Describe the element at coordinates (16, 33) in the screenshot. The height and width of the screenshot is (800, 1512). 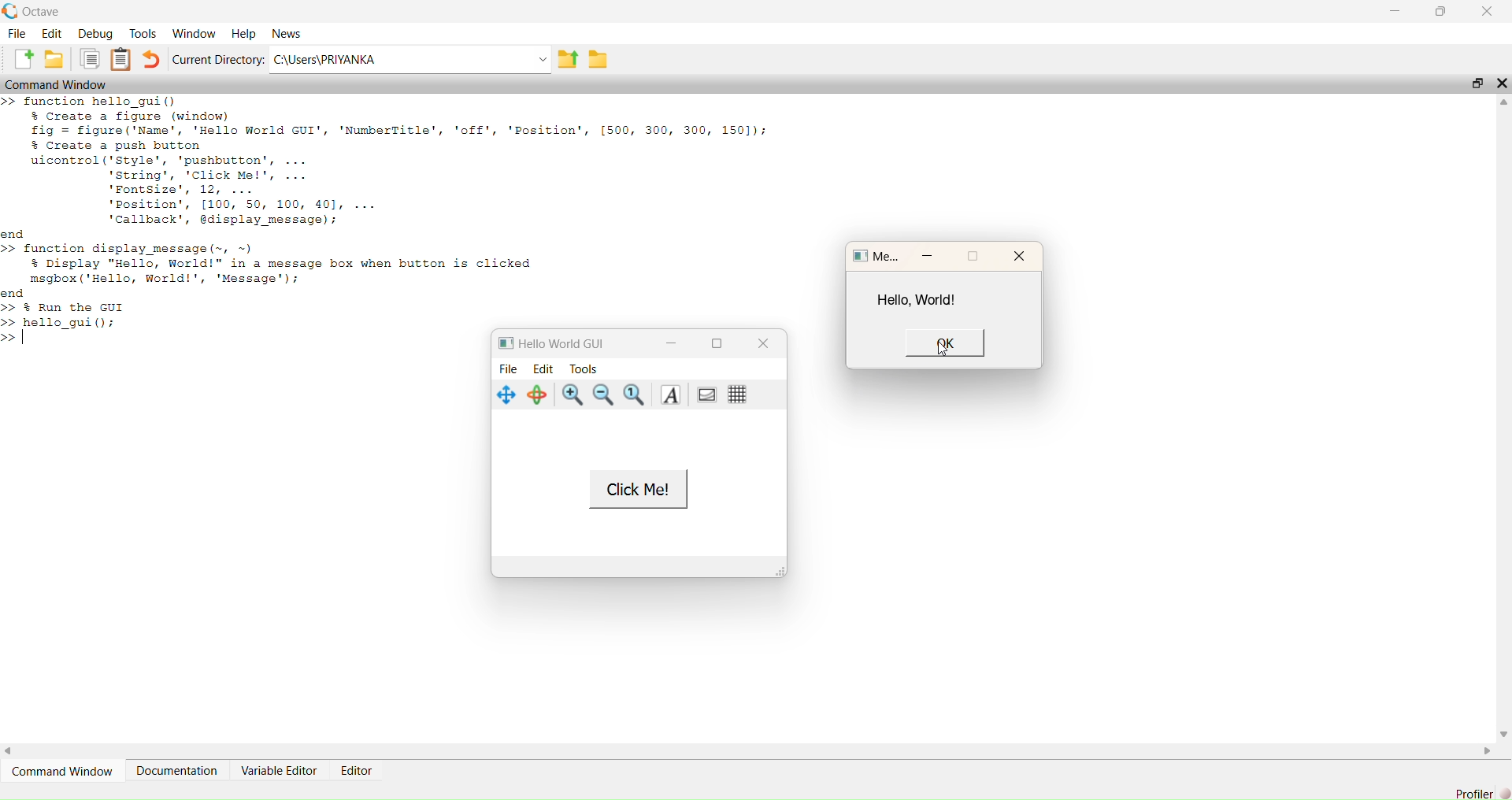
I see `File` at that location.